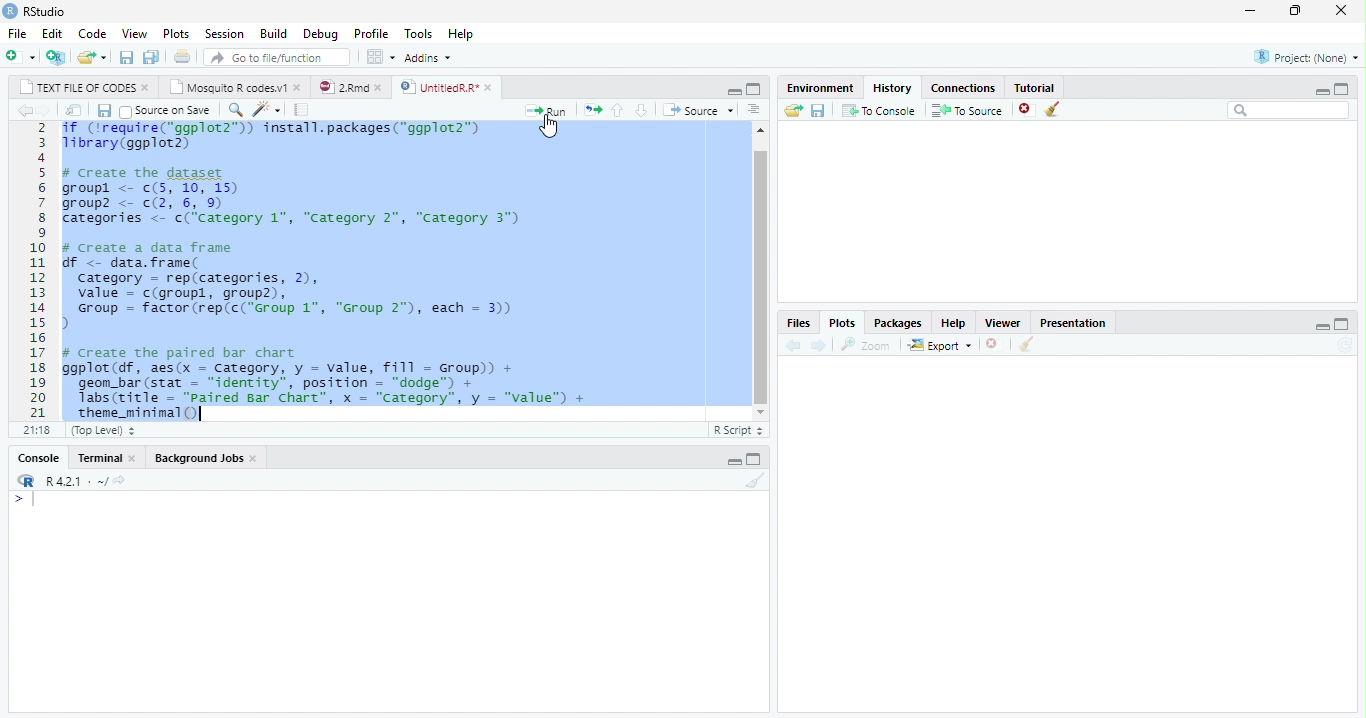 Image resolution: width=1366 pixels, height=718 pixels. What do you see at coordinates (992, 343) in the screenshot?
I see `close` at bounding box center [992, 343].